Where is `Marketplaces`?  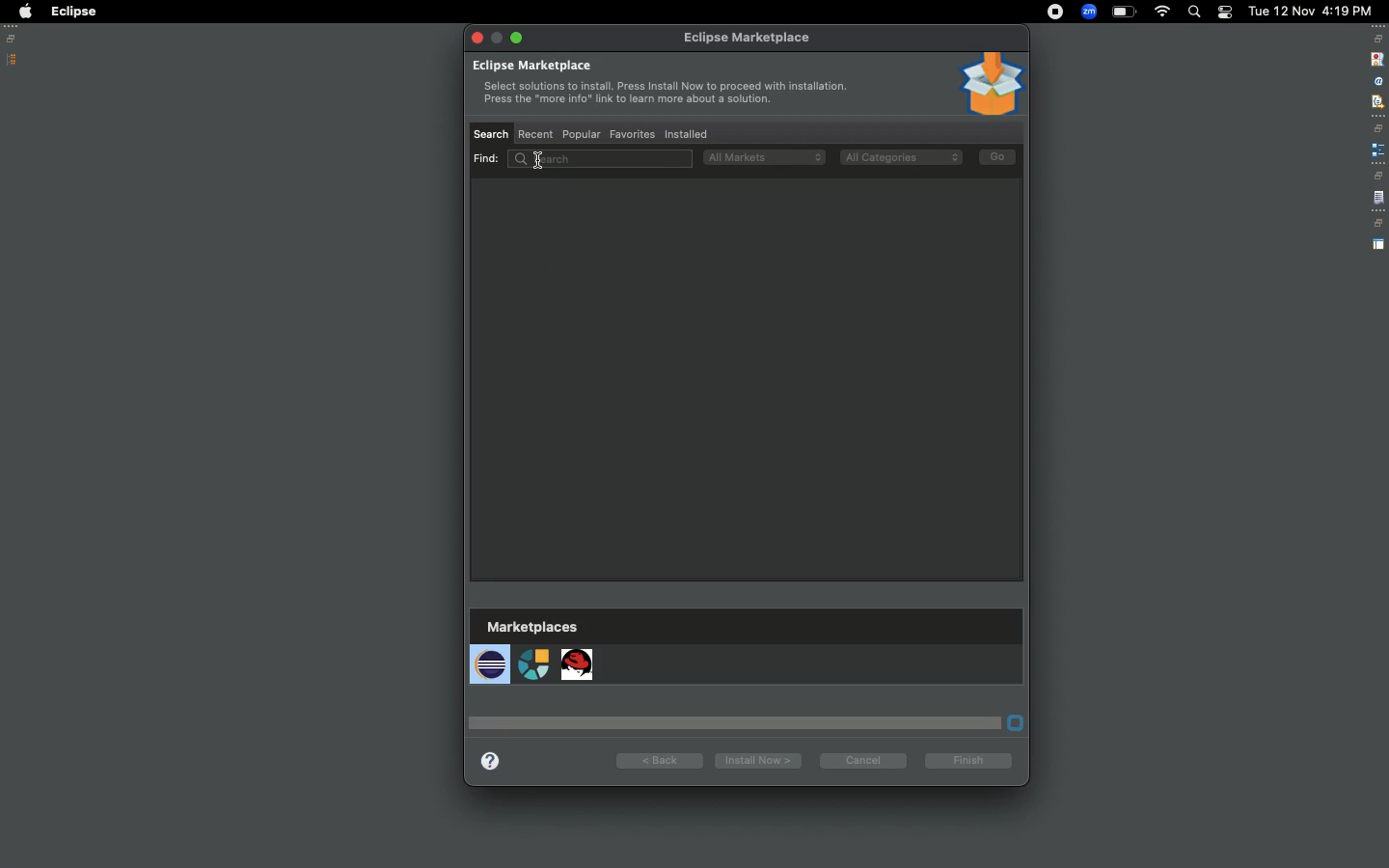
Marketplaces is located at coordinates (534, 652).